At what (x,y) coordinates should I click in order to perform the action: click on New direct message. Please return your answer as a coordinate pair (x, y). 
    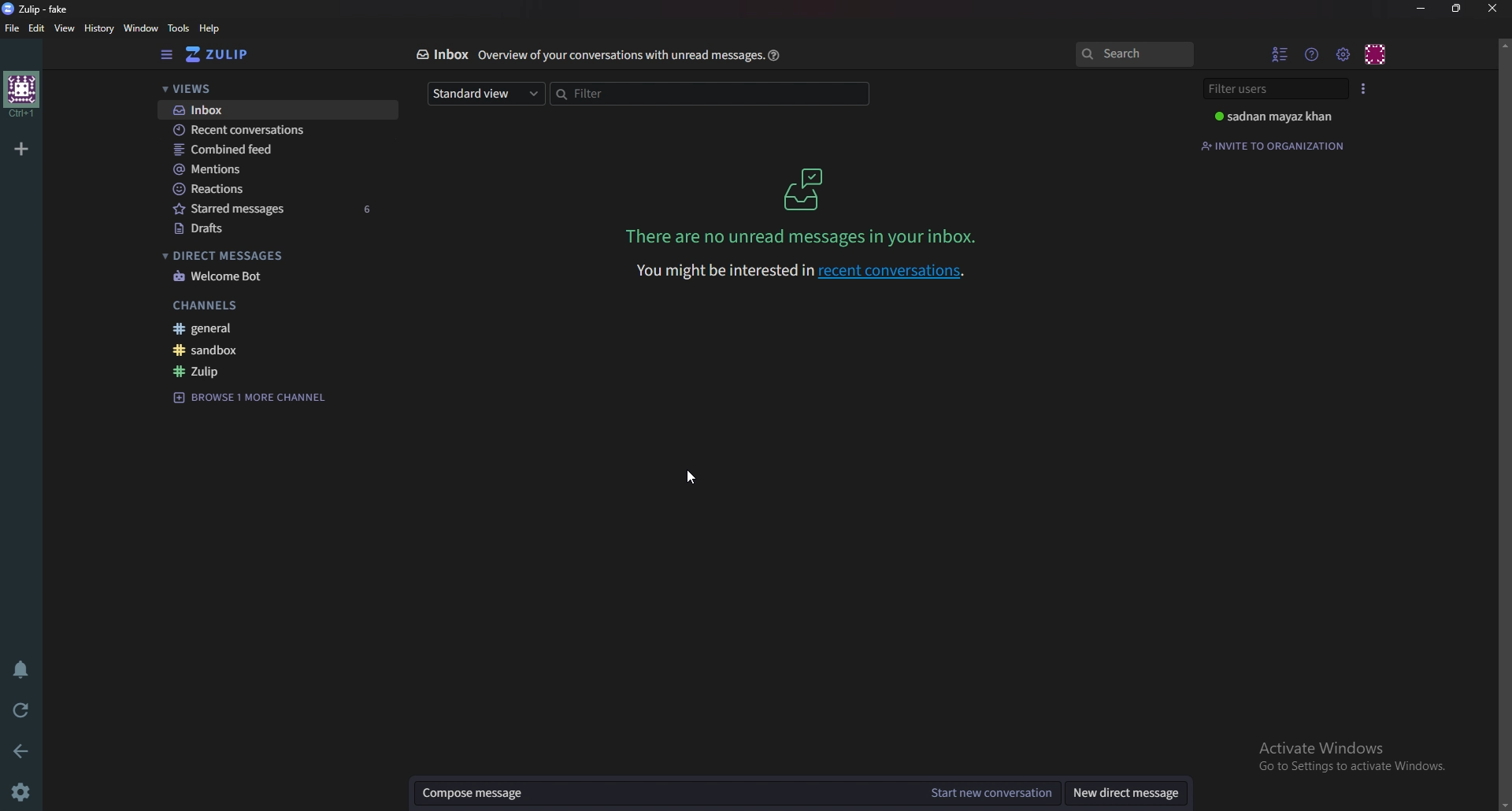
    Looking at the image, I should click on (1122, 792).